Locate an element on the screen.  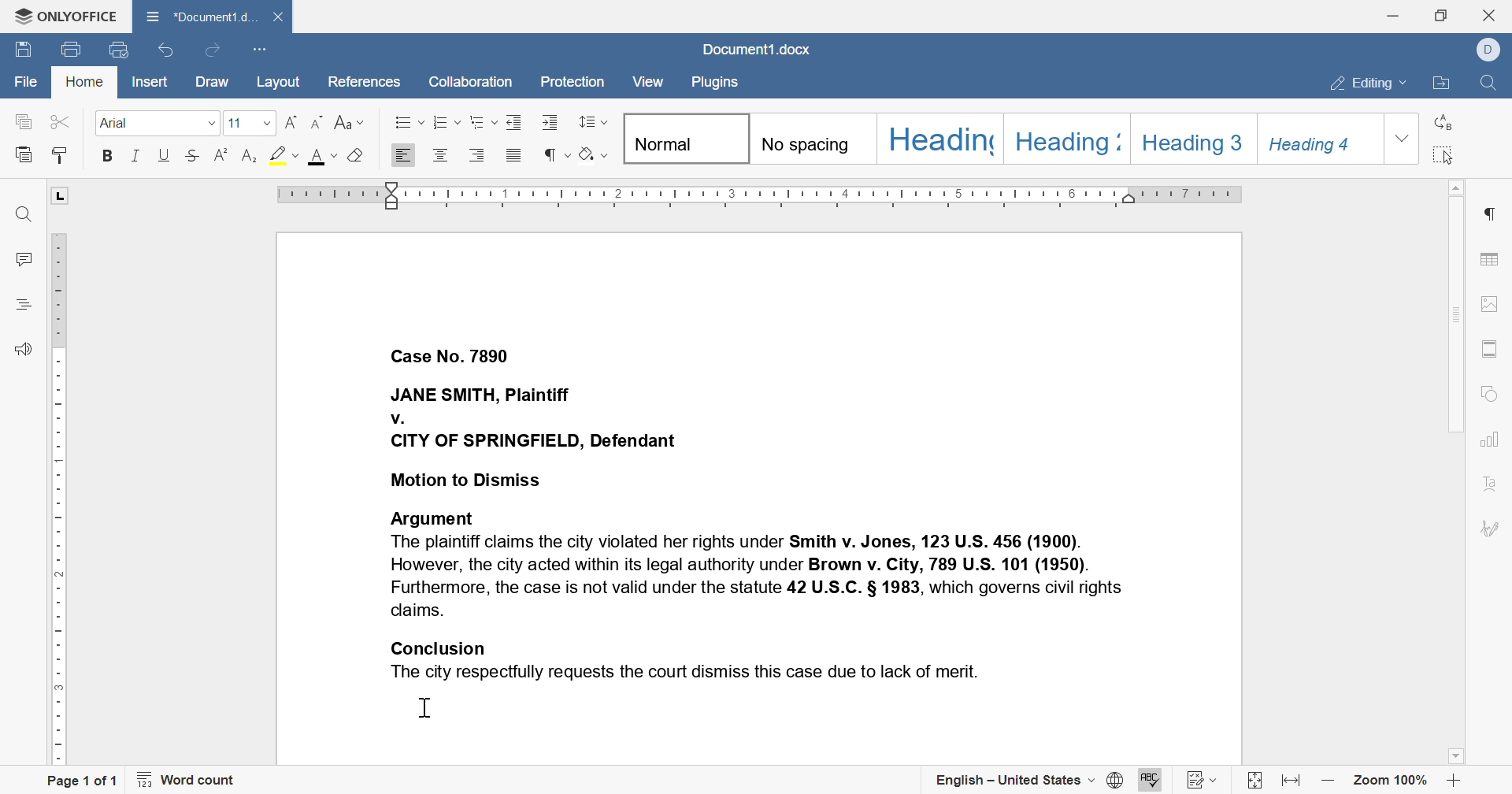
italic is located at coordinates (137, 155).